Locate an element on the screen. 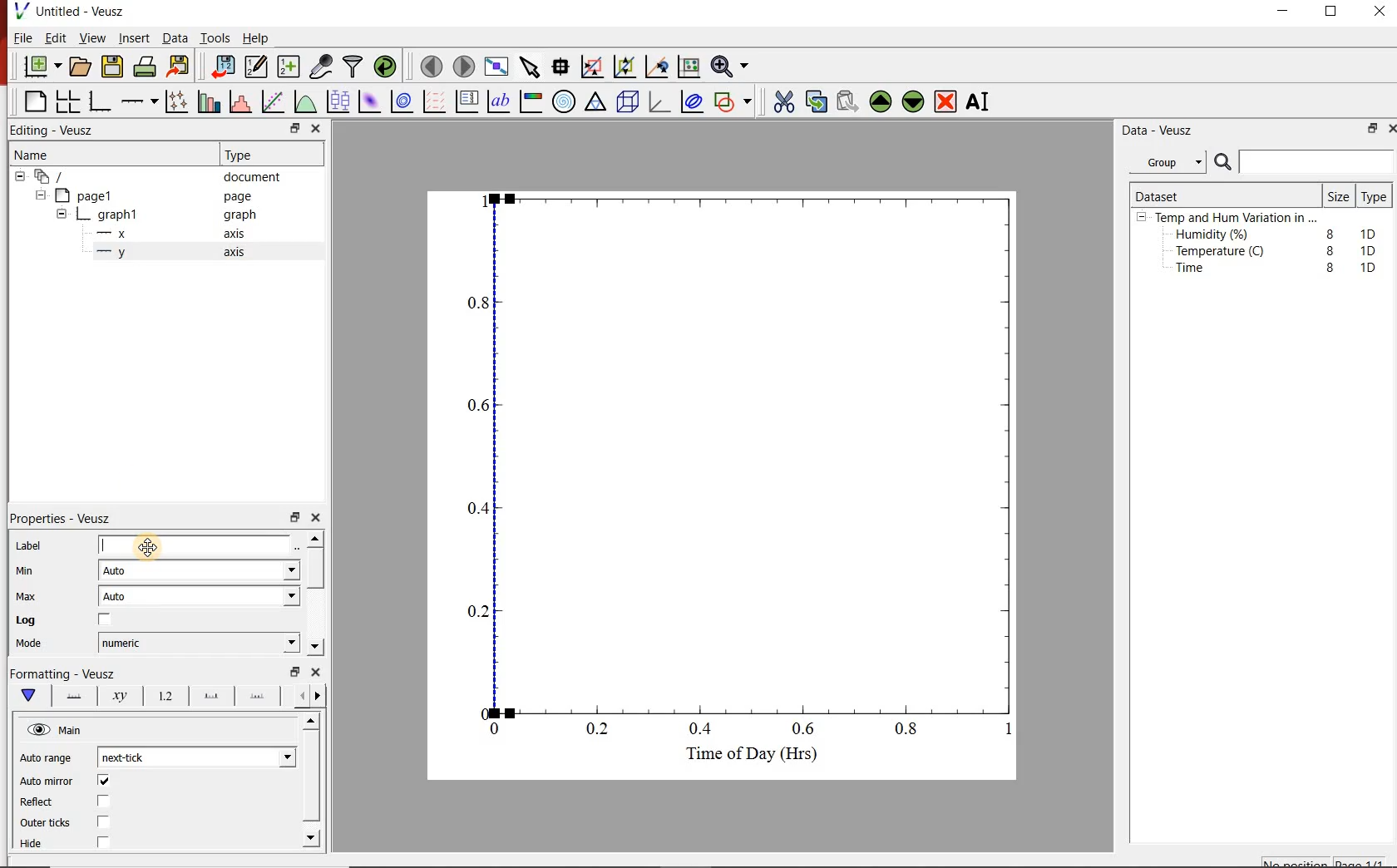 The height and width of the screenshot is (868, 1397). Auto mirror is located at coordinates (67, 782).